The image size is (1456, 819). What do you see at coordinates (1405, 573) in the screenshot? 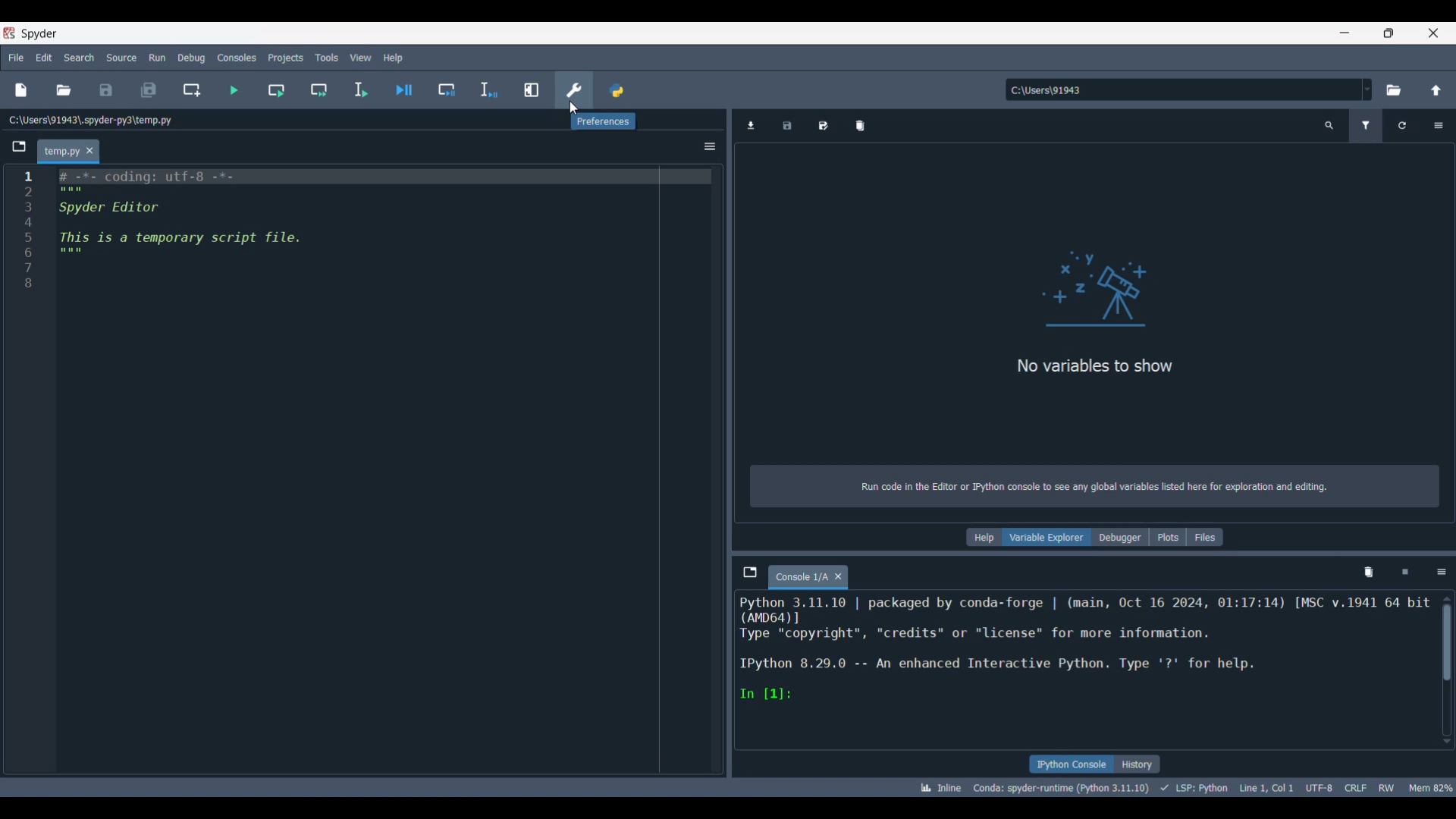
I see `Interrupt kernel` at bounding box center [1405, 573].